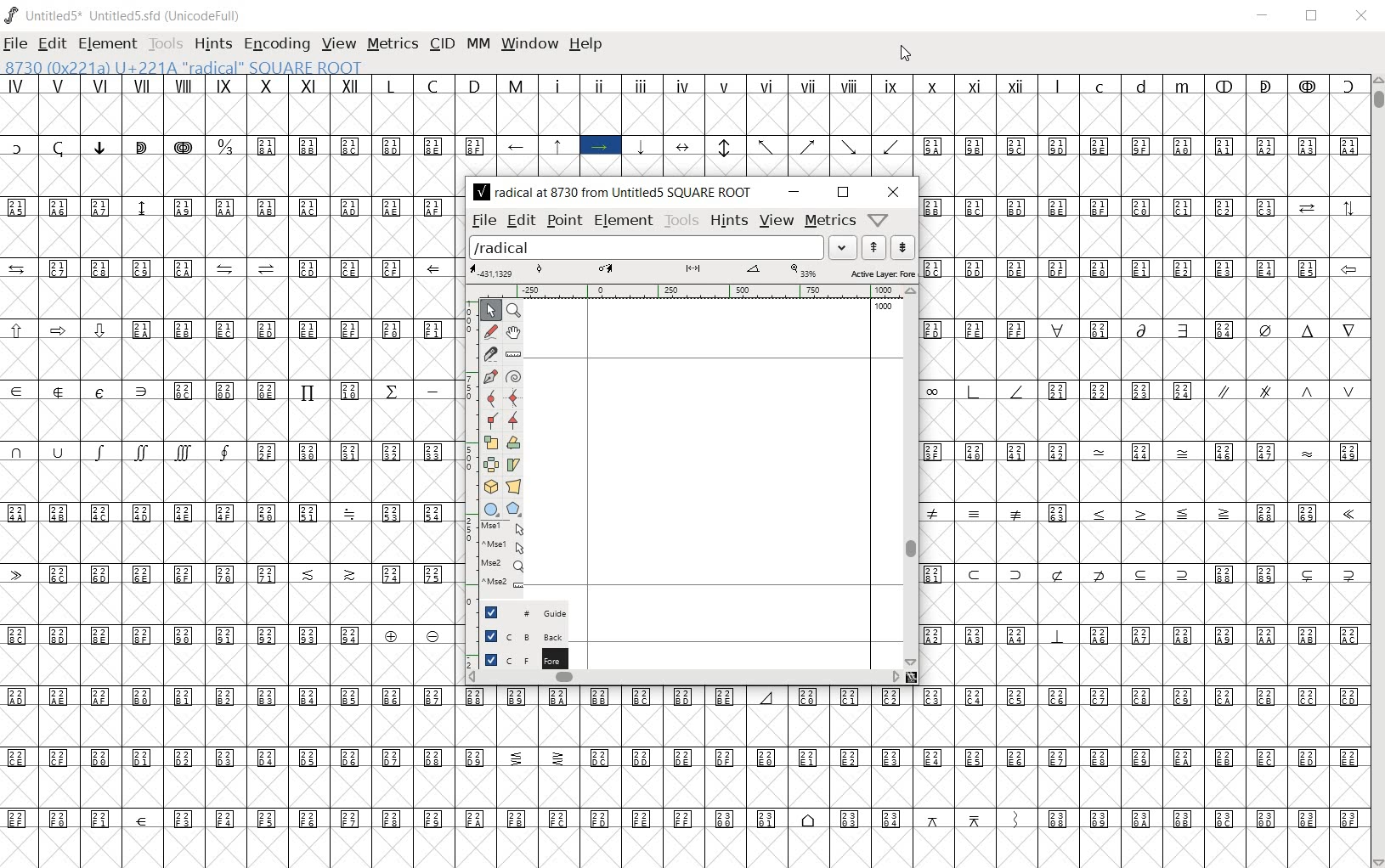 This screenshot has width=1385, height=868. Describe the element at coordinates (792, 192) in the screenshot. I see `minimize` at that location.